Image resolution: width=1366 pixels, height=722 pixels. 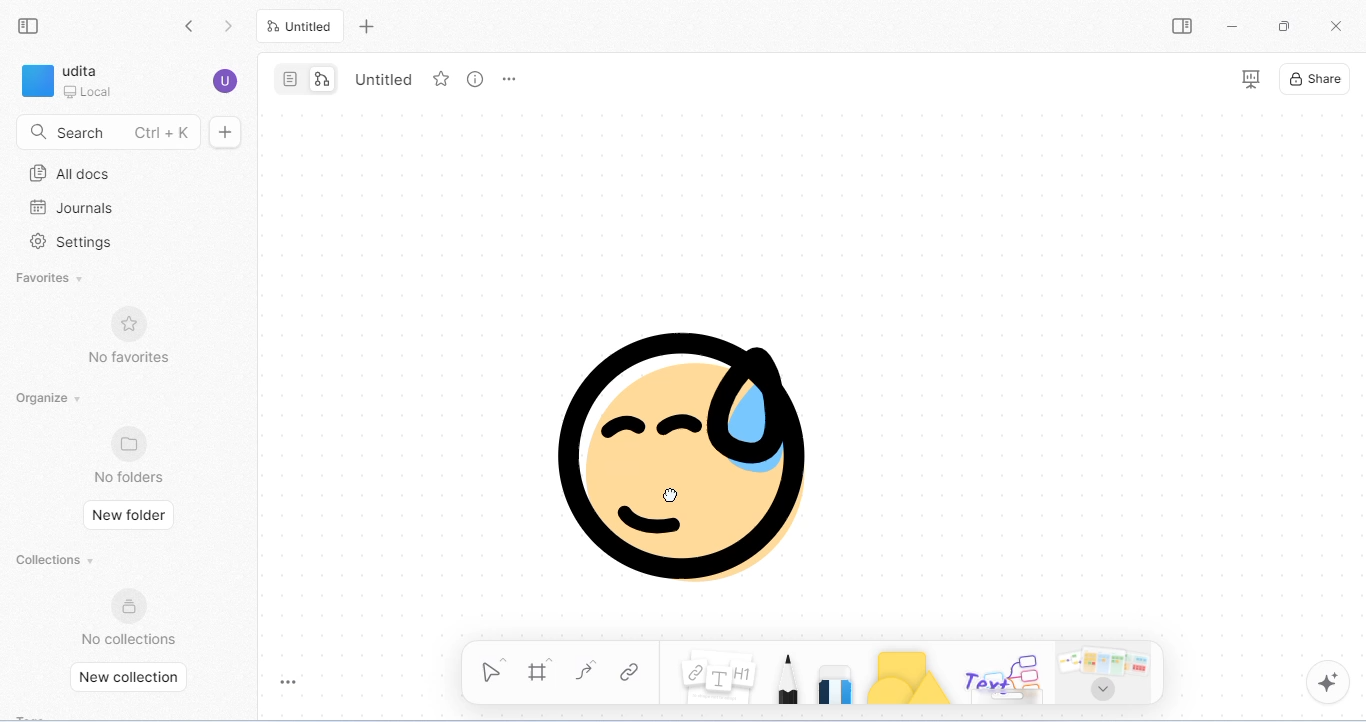 What do you see at coordinates (57, 559) in the screenshot?
I see `collections` at bounding box center [57, 559].